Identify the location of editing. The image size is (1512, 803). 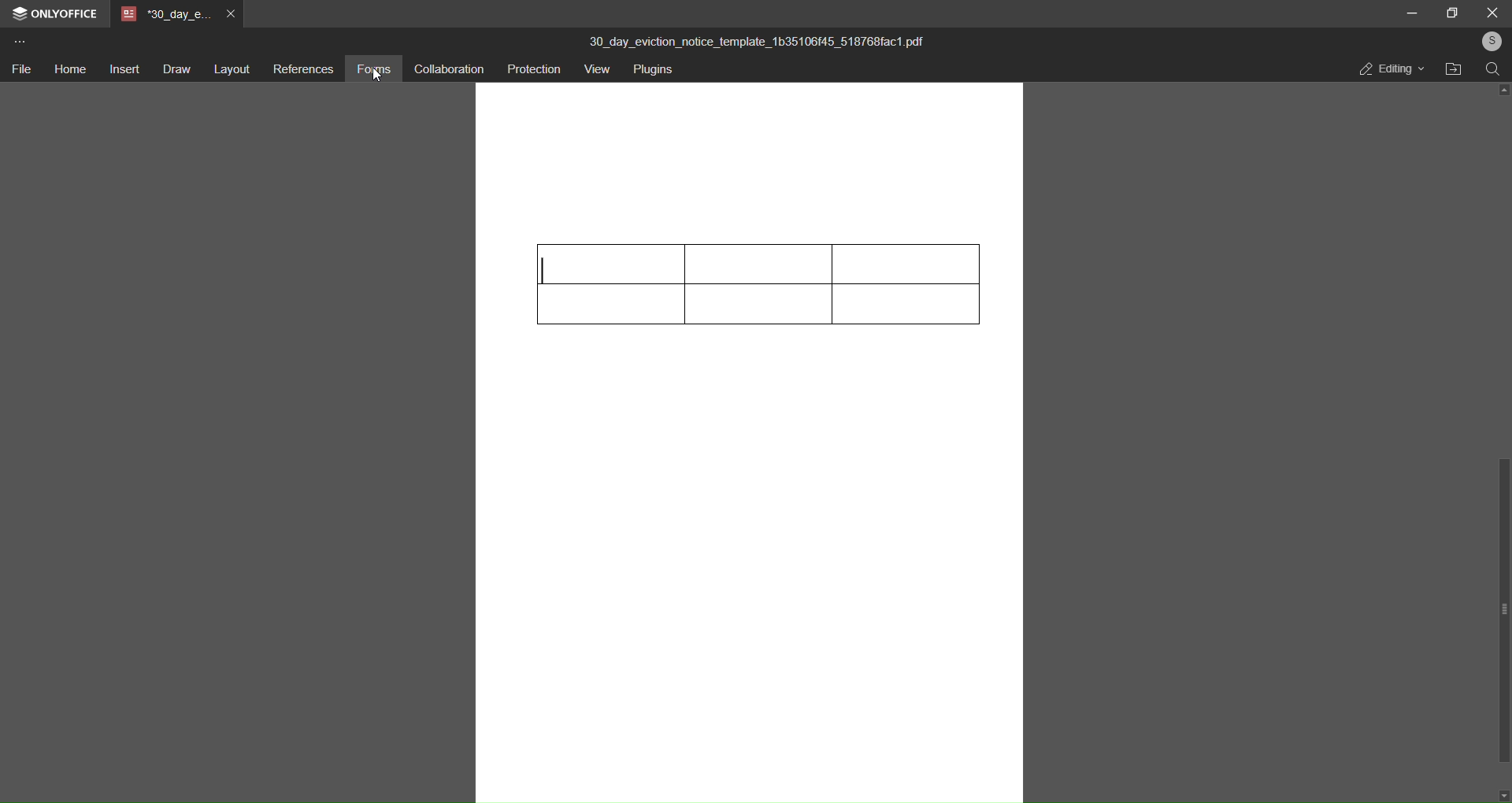
(1391, 72).